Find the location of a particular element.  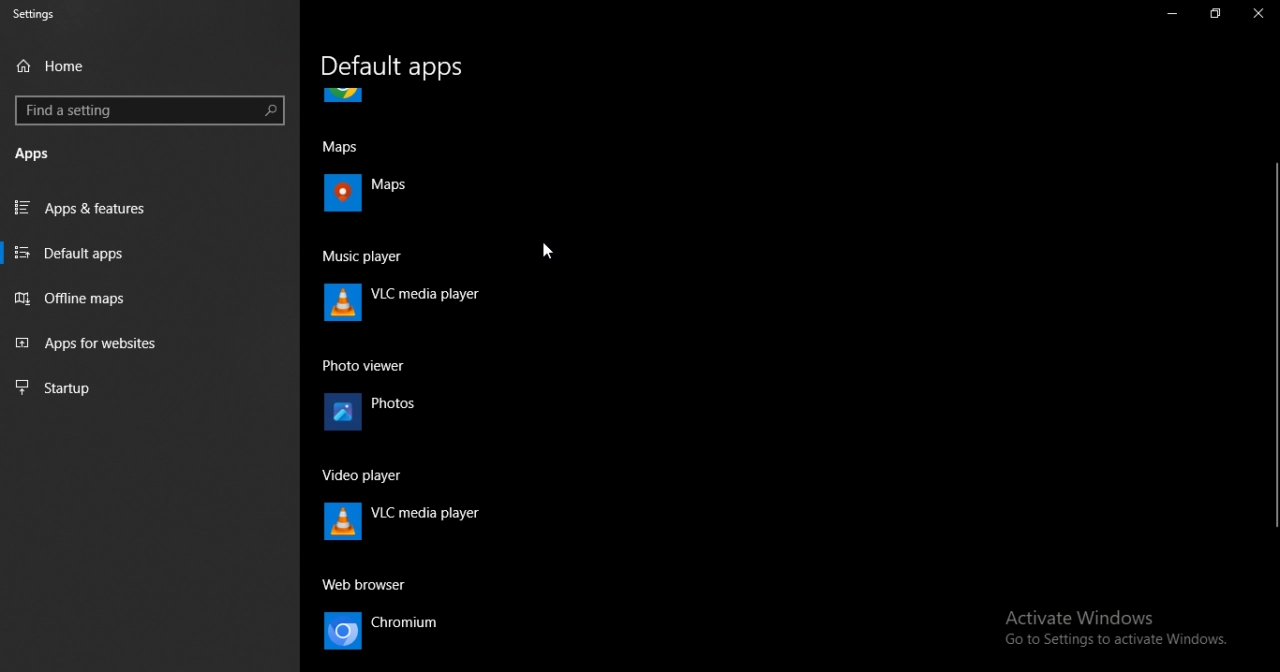

video player is located at coordinates (365, 477).